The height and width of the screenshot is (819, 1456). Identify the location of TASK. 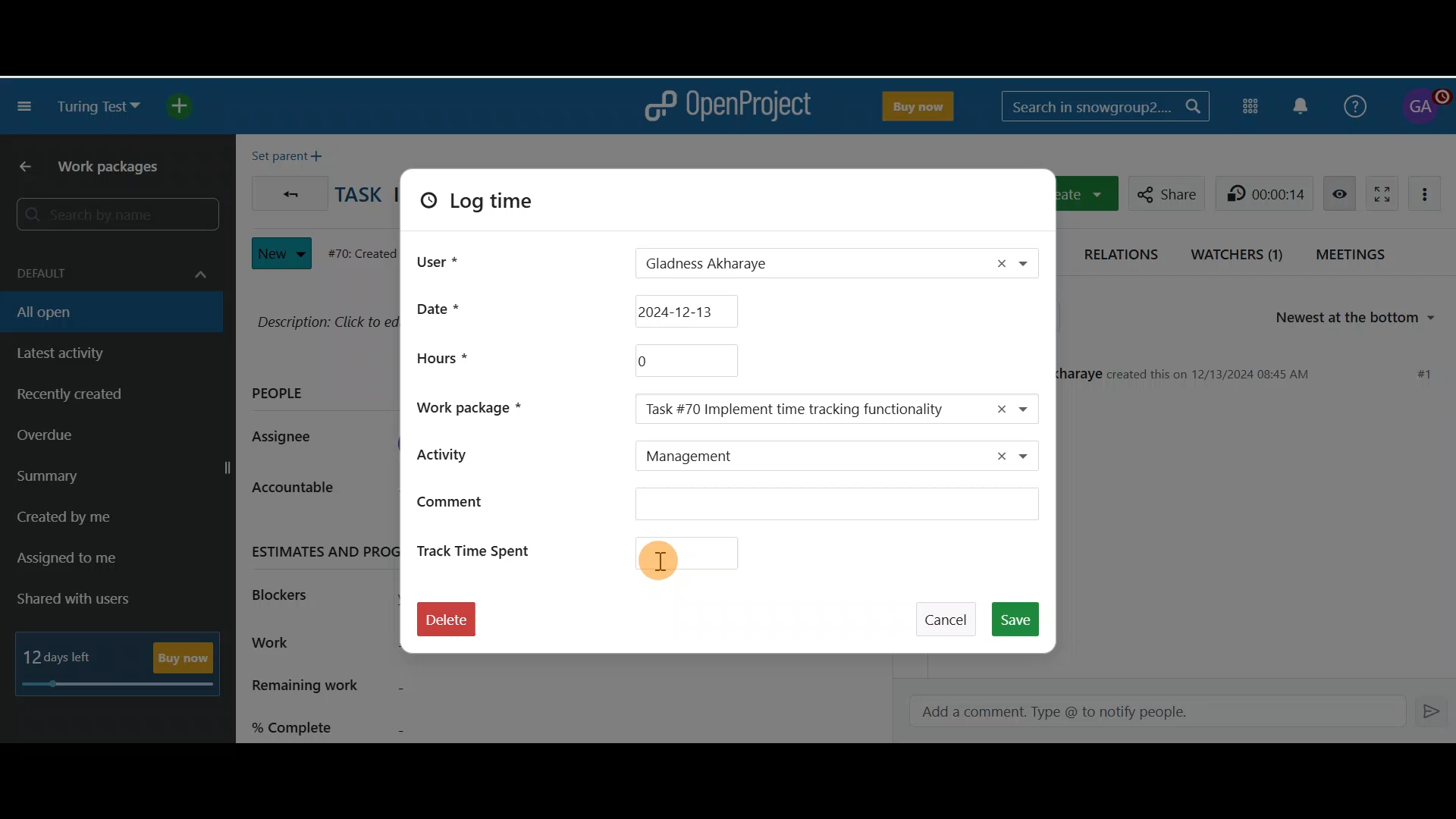
(359, 198).